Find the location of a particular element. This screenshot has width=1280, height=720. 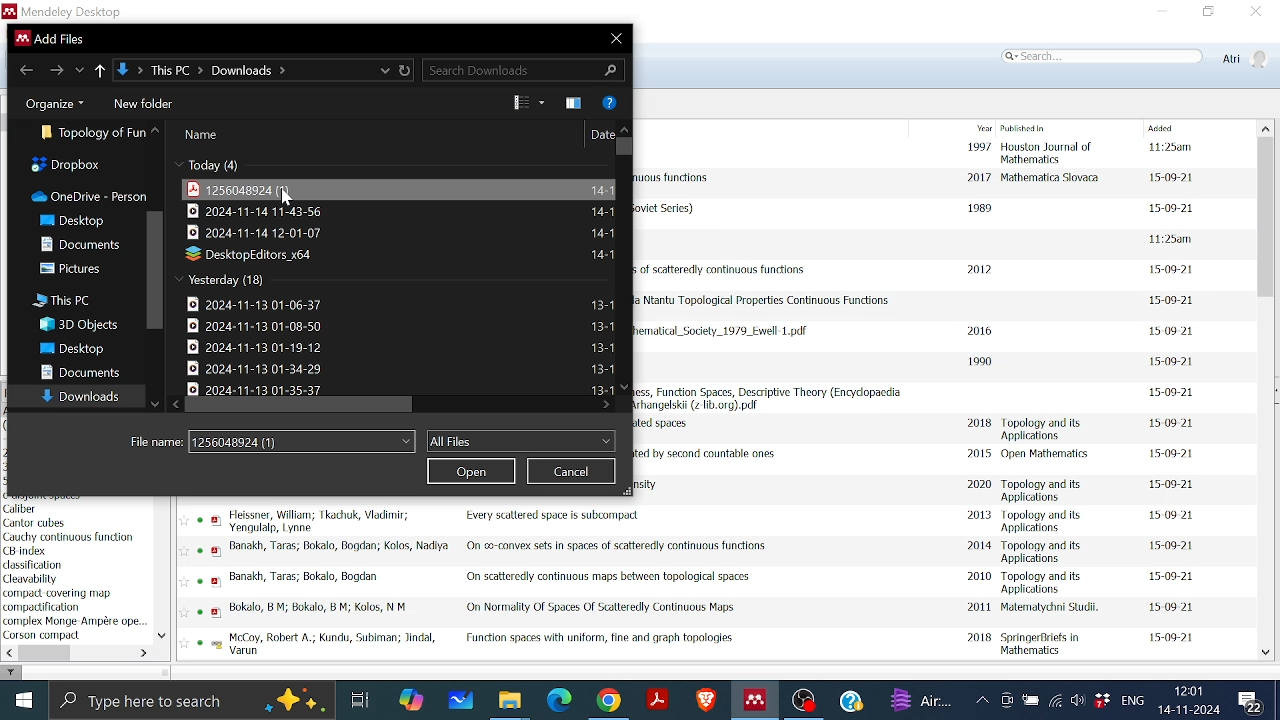

Published in is located at coordinates (1044, 453).